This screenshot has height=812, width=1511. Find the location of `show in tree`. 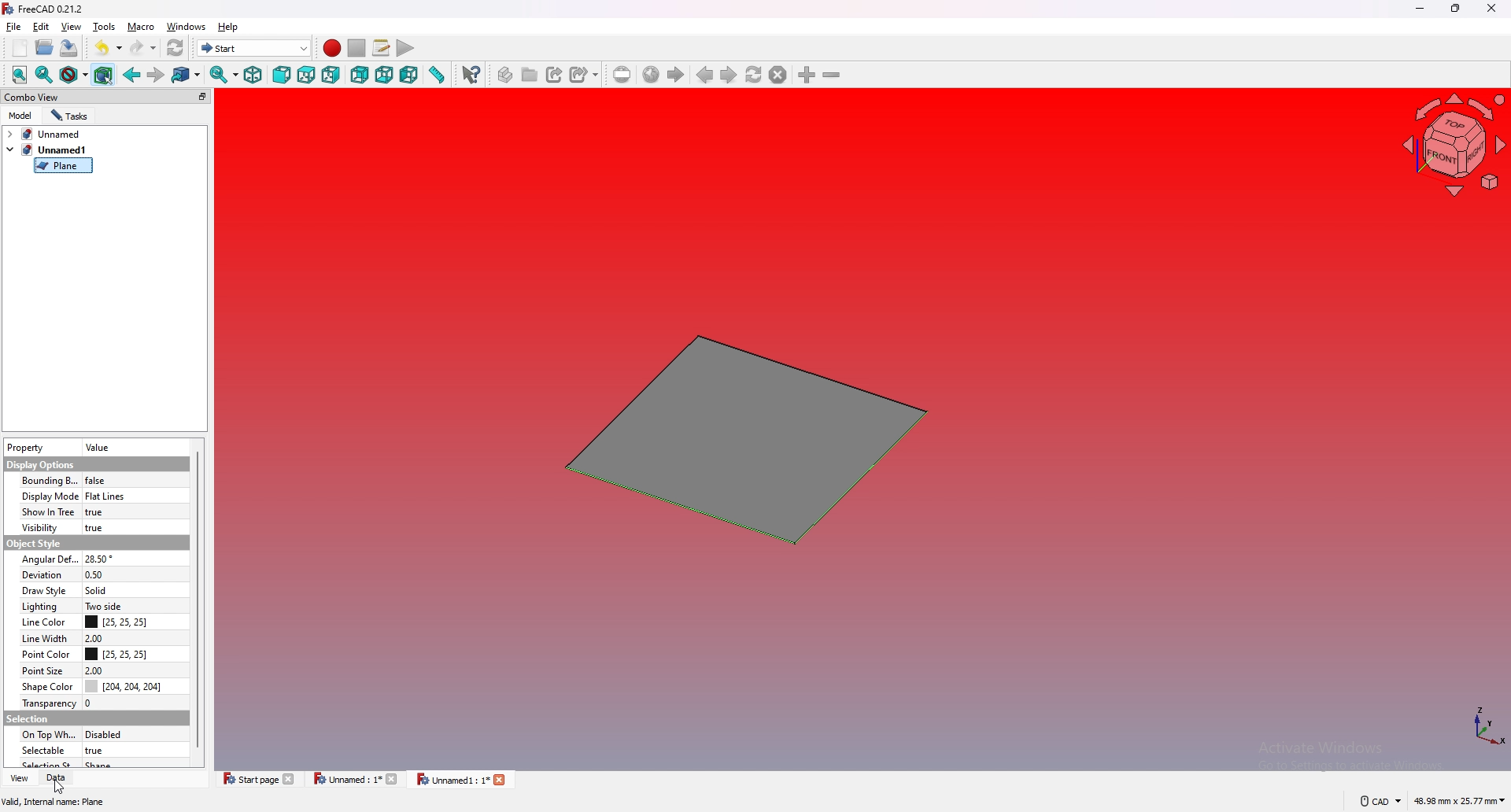

show in tree is located at coordinates (46, 511).